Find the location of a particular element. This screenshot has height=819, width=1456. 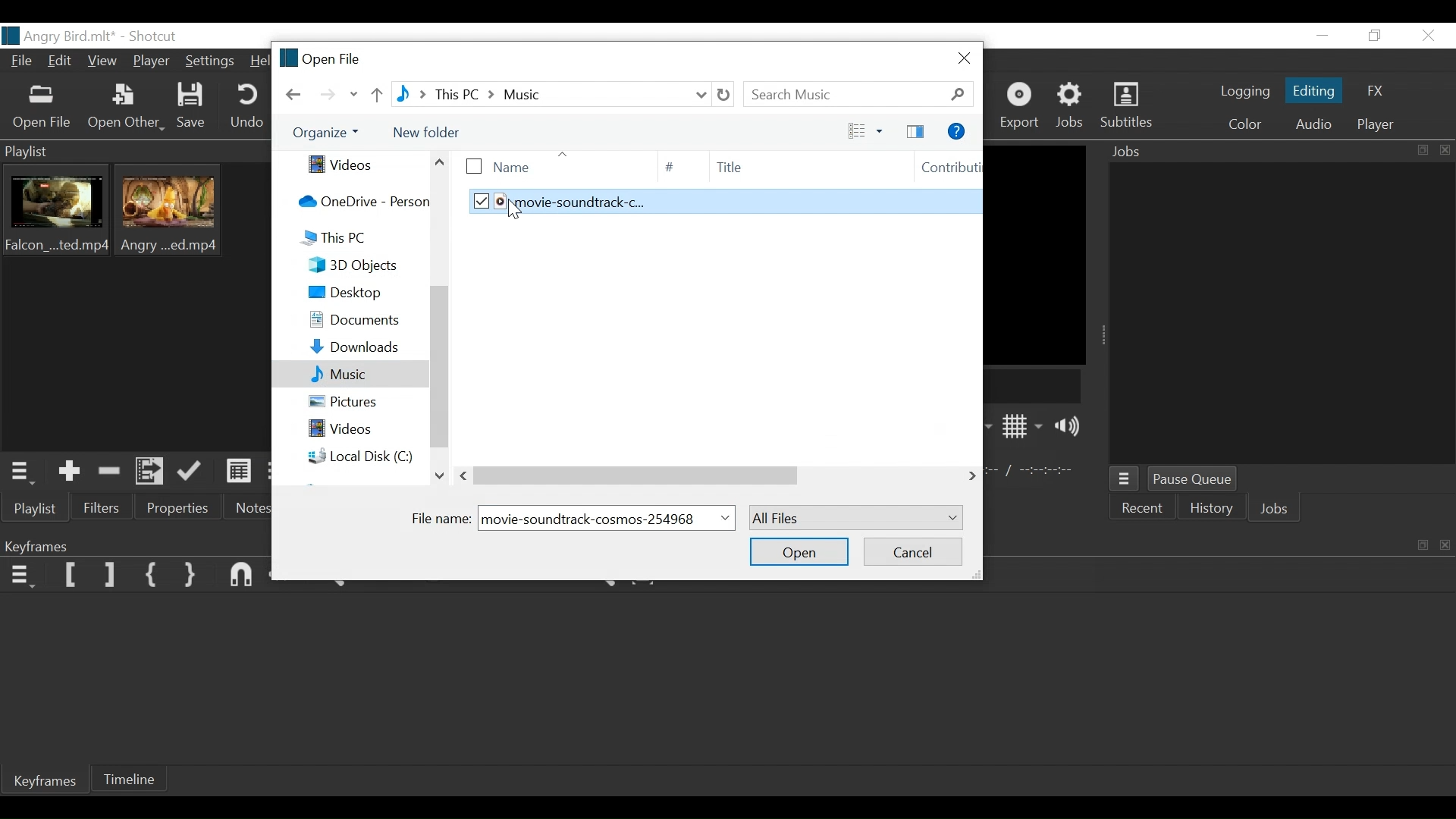

Undo is located at coordinates (249, 108).